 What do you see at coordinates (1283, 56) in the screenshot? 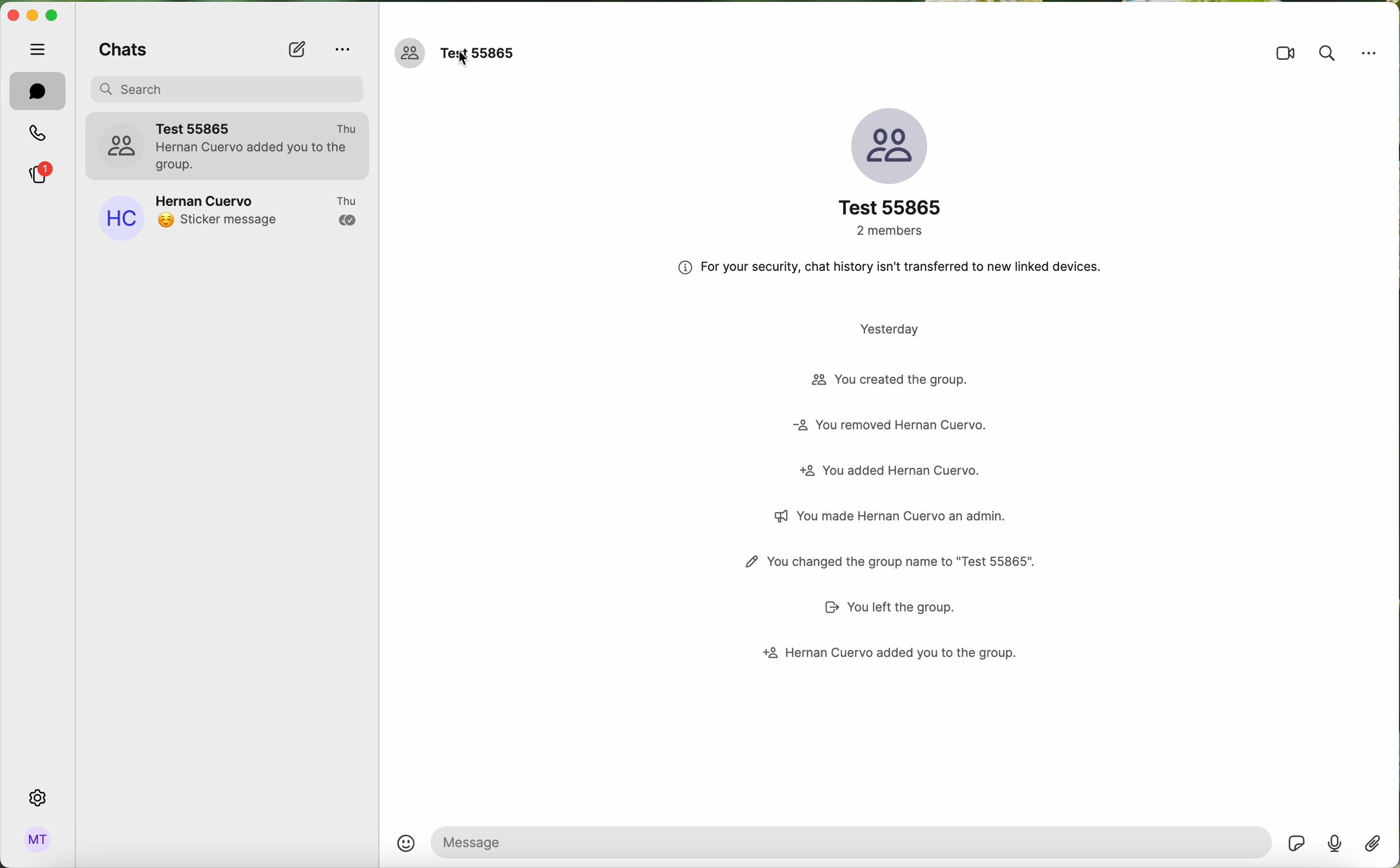
I see `videocall` at bounding box center [1283, 56].